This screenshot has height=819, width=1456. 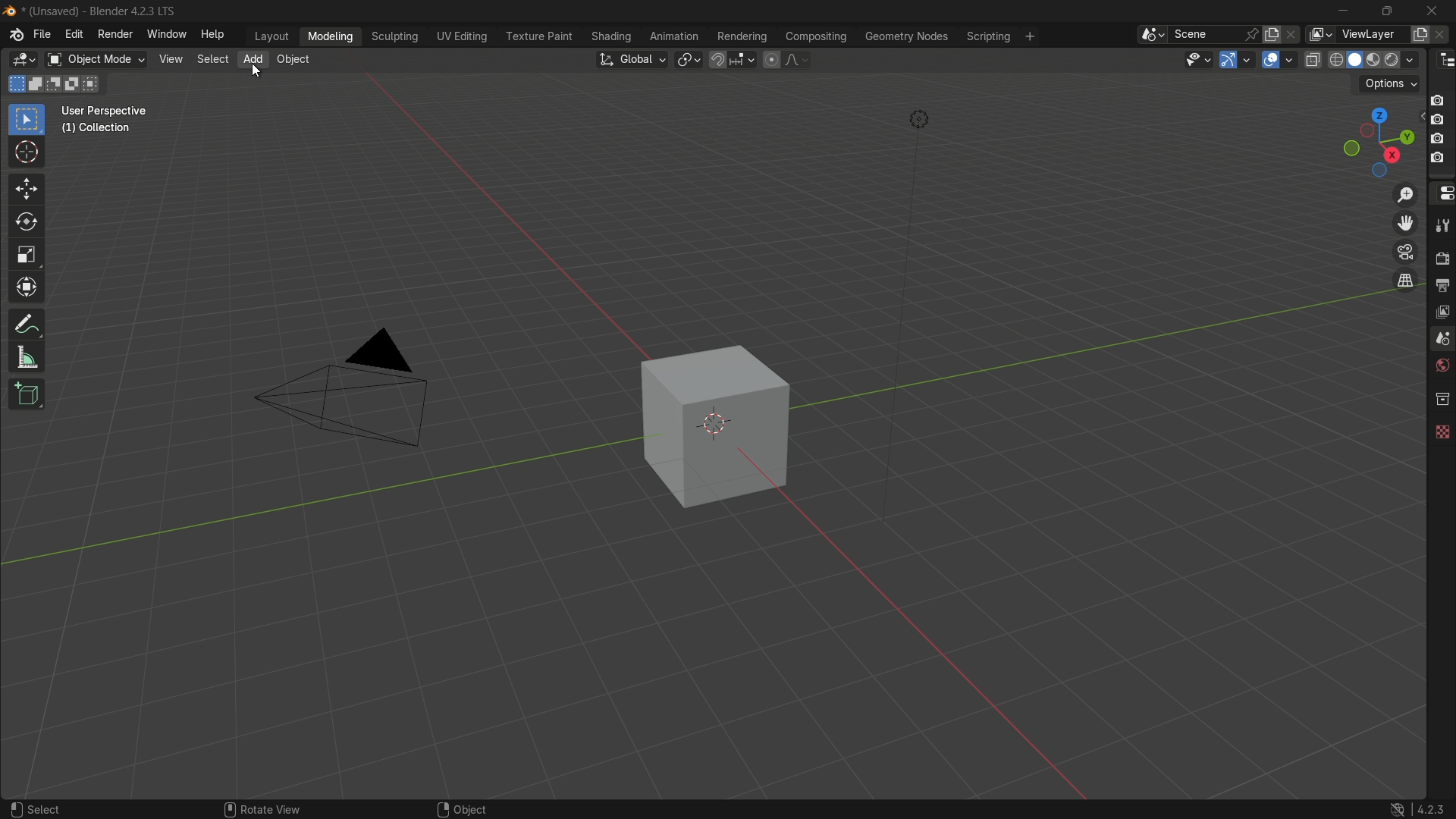 I want to click on wireframe display, so click(x=1335, y=60).